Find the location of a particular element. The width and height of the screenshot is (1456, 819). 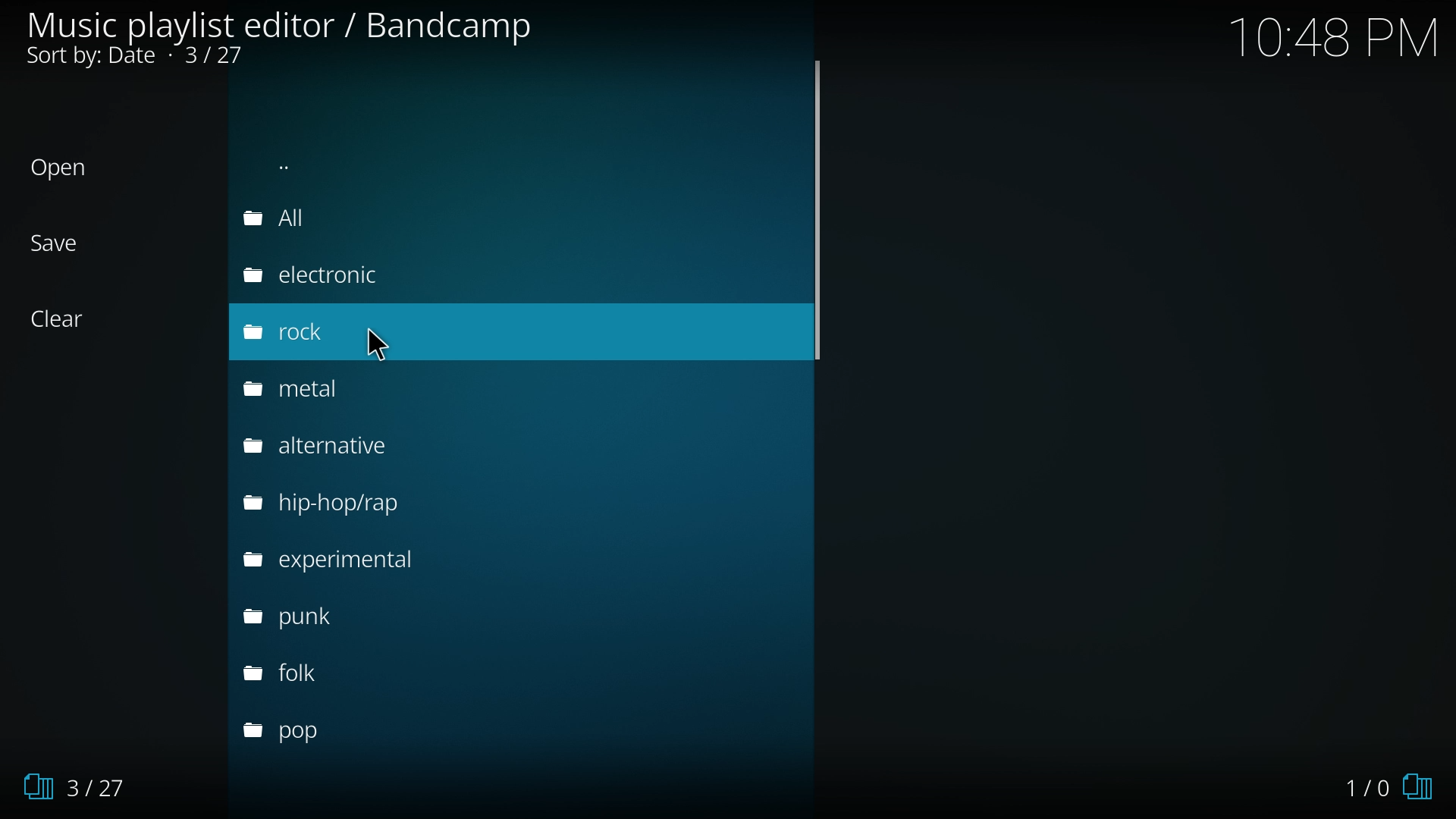

1/0 is located at coordinates (1384, 783).